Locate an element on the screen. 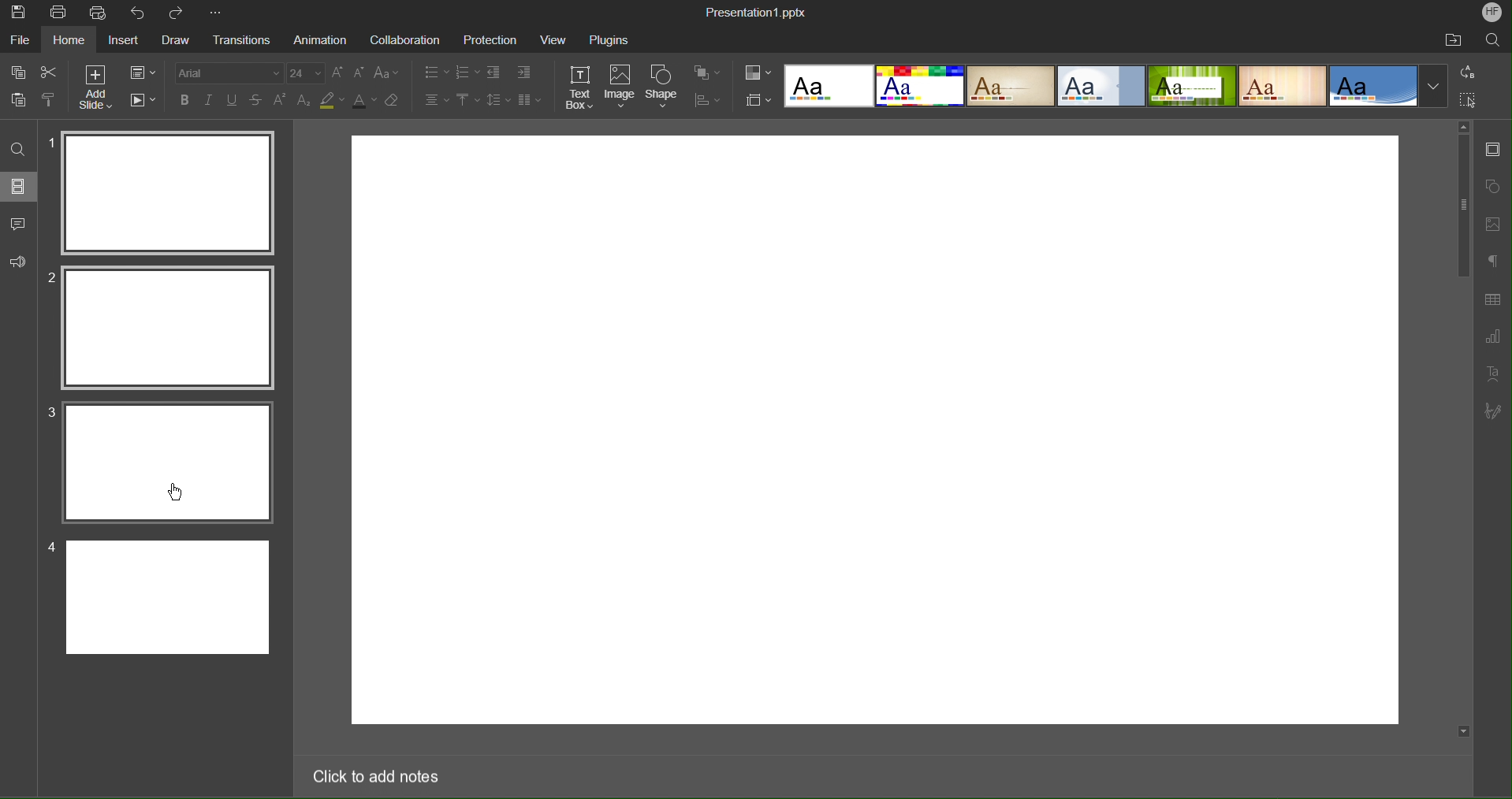  Numbered List is located at coordinates (467, 71).